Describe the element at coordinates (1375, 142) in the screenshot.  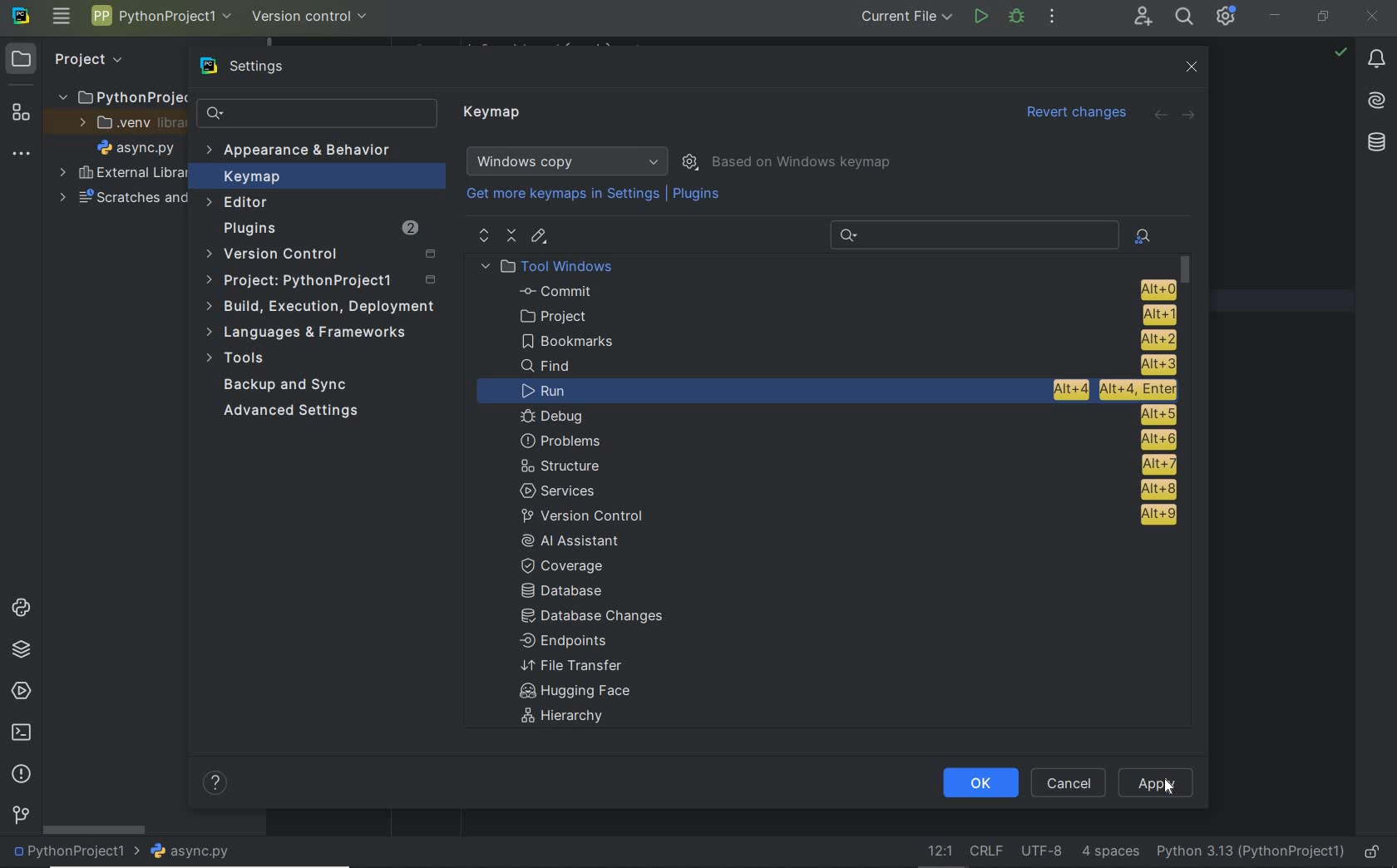
I see `database` at that location.